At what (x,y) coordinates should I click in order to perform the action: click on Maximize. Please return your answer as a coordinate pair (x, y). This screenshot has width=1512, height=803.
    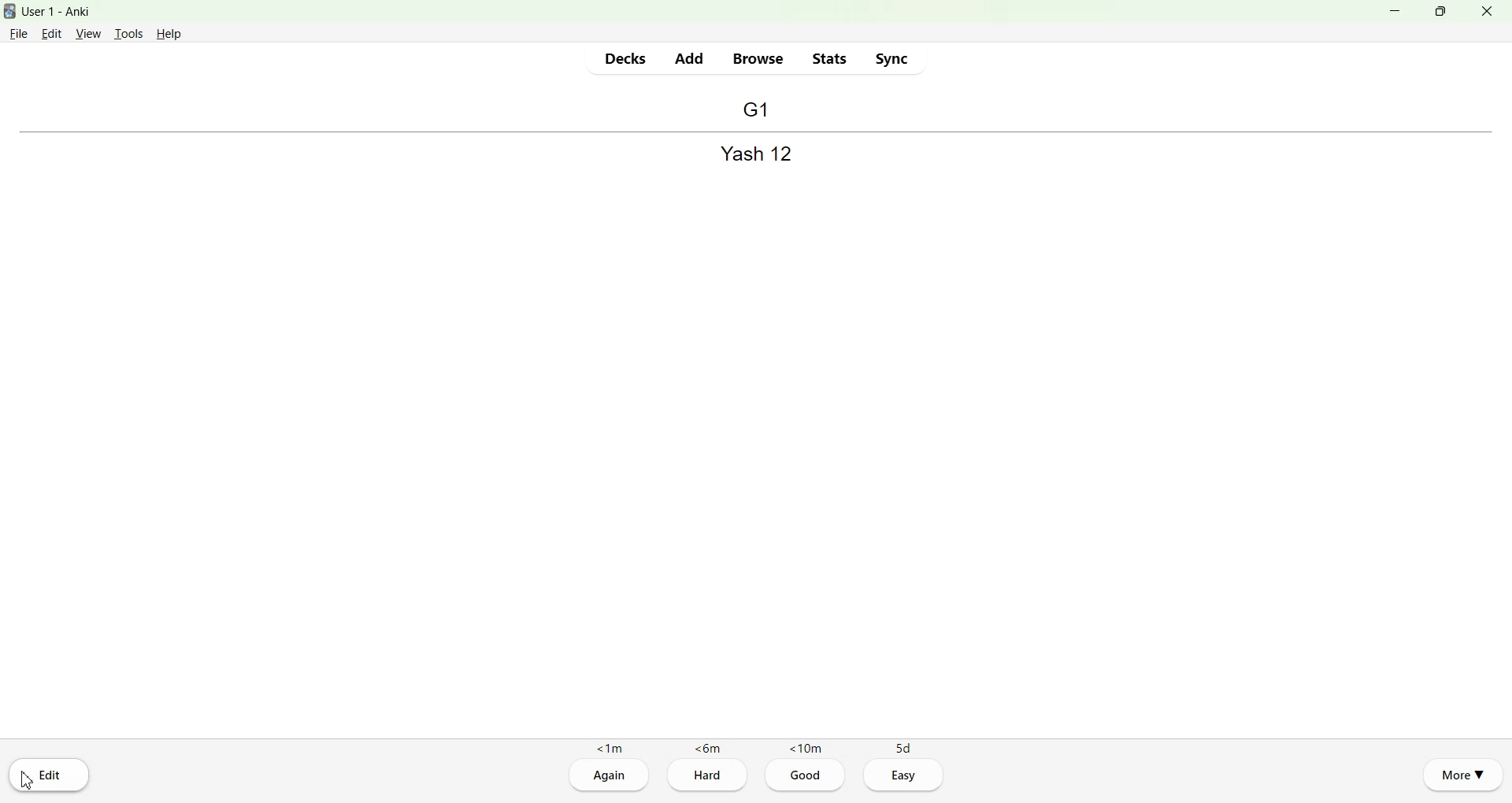
    Looking at the image, I should click on (1440, 11).